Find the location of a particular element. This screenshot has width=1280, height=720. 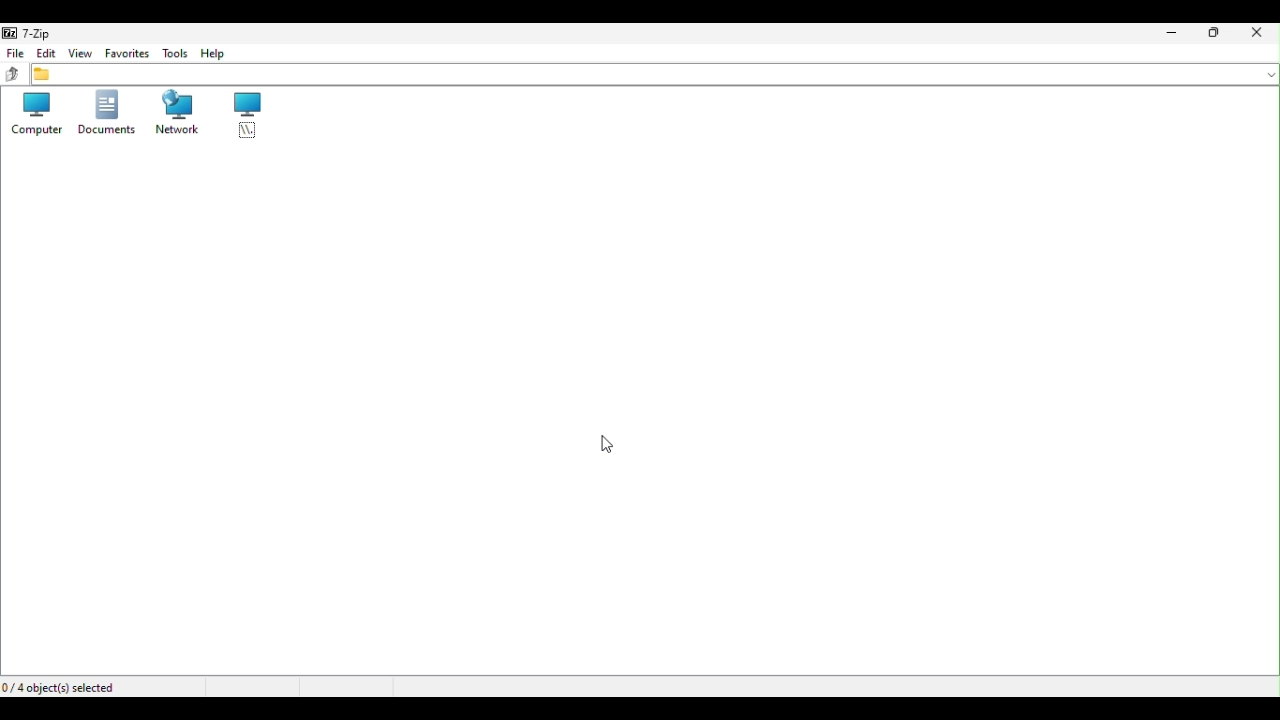

Four object selected is located at coordinates (66, 687).